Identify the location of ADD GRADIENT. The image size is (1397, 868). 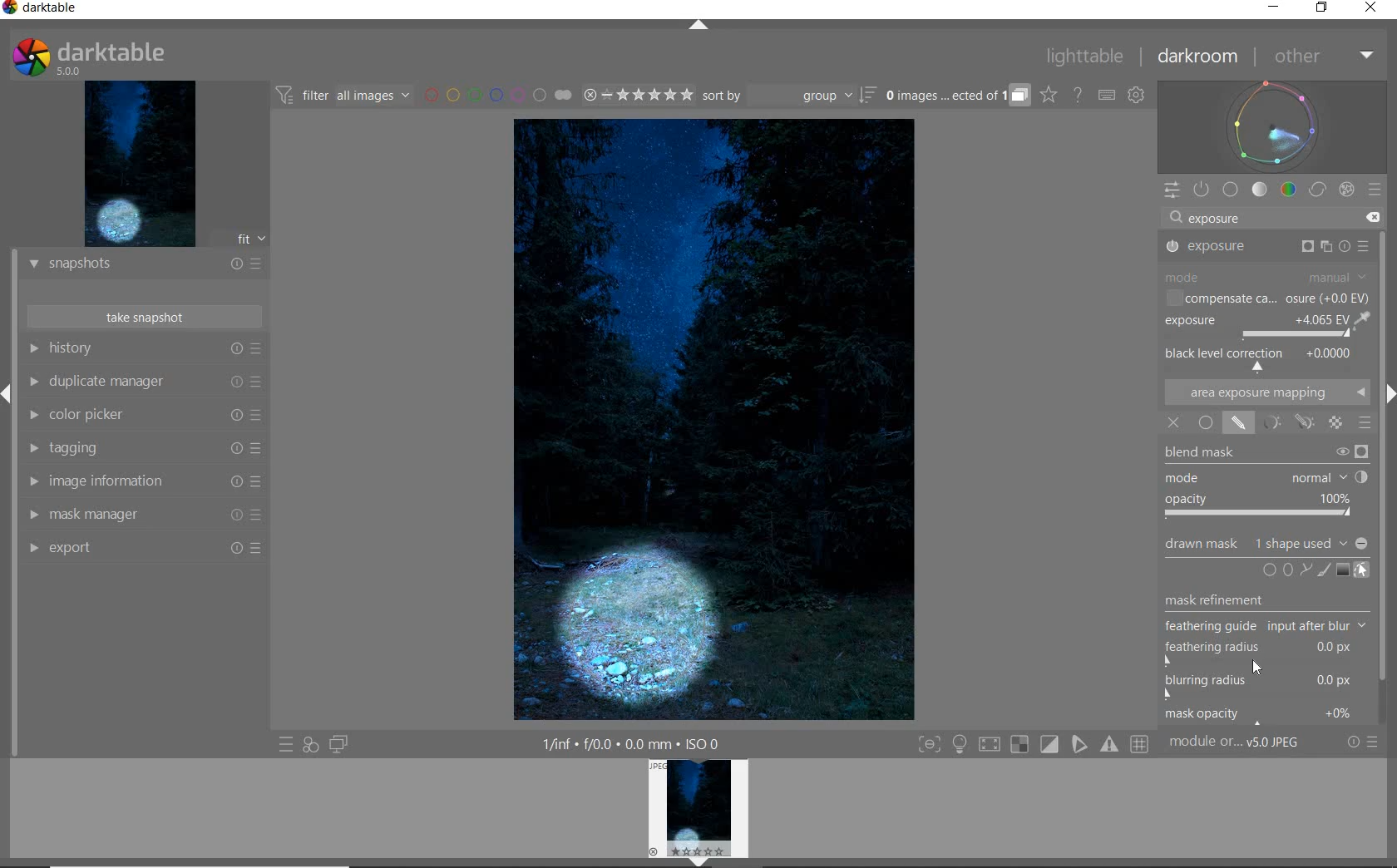
(1344, 570).